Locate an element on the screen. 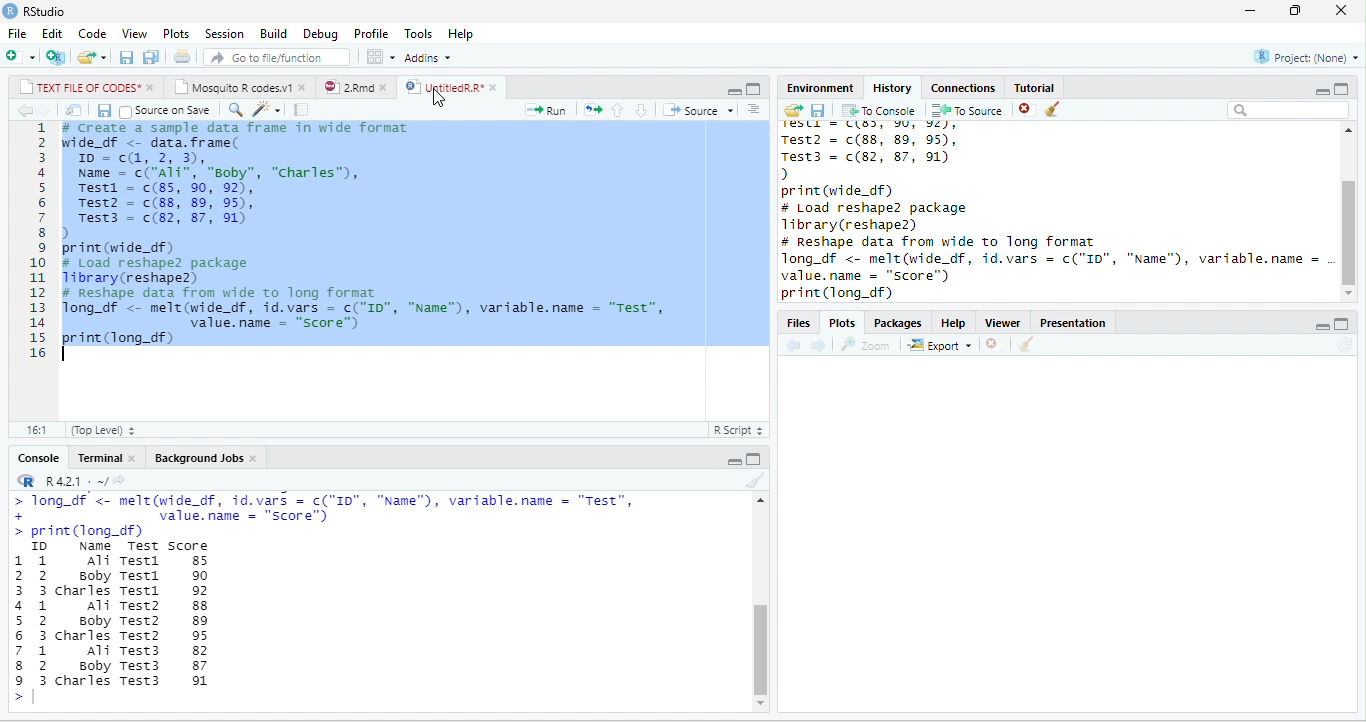 The height and width of the screenshot is (722, 1366). compile report is located at coordinates (301, 109).